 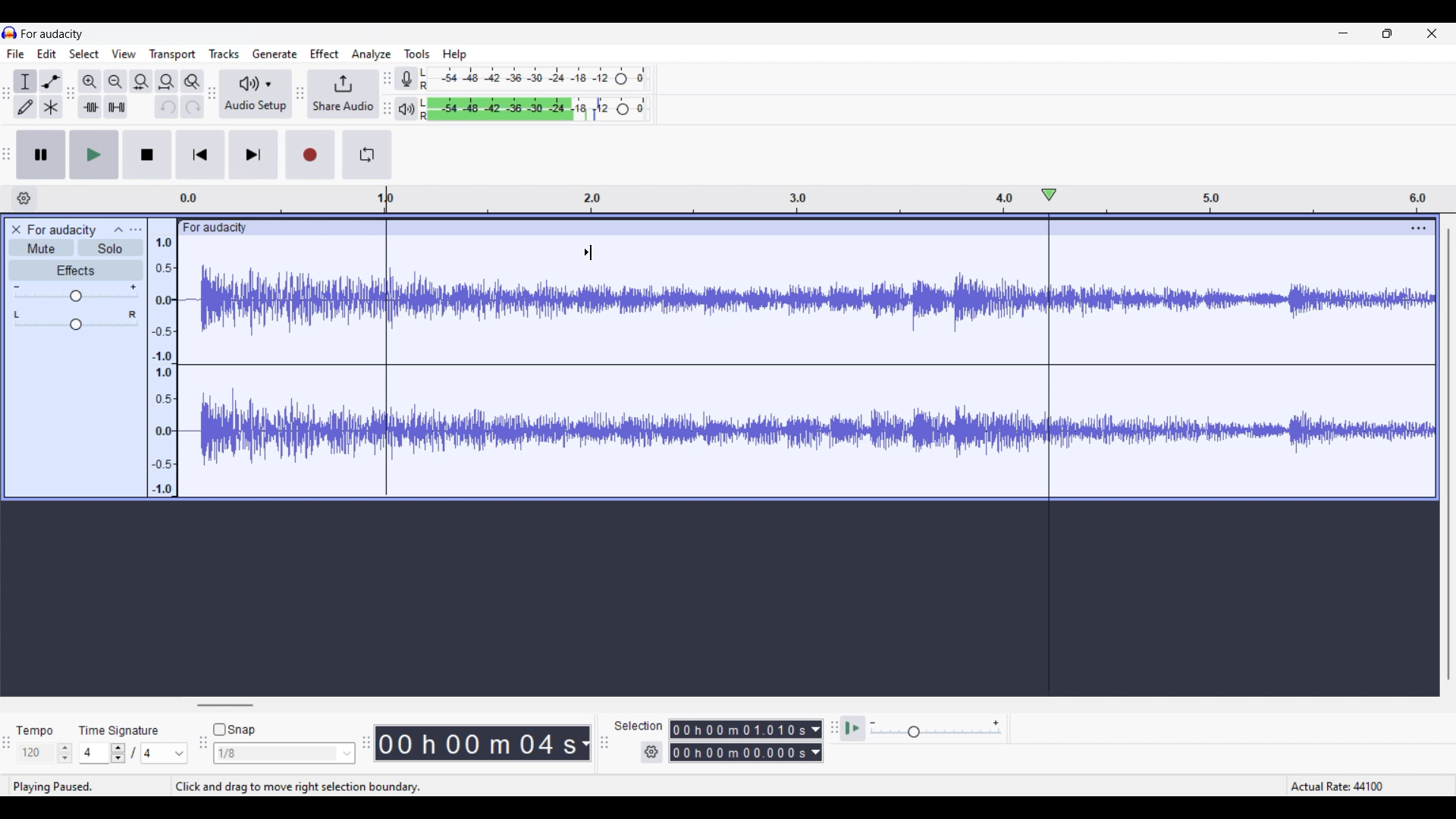 I want to click on Snap toggle, so click(x=234, y=730).